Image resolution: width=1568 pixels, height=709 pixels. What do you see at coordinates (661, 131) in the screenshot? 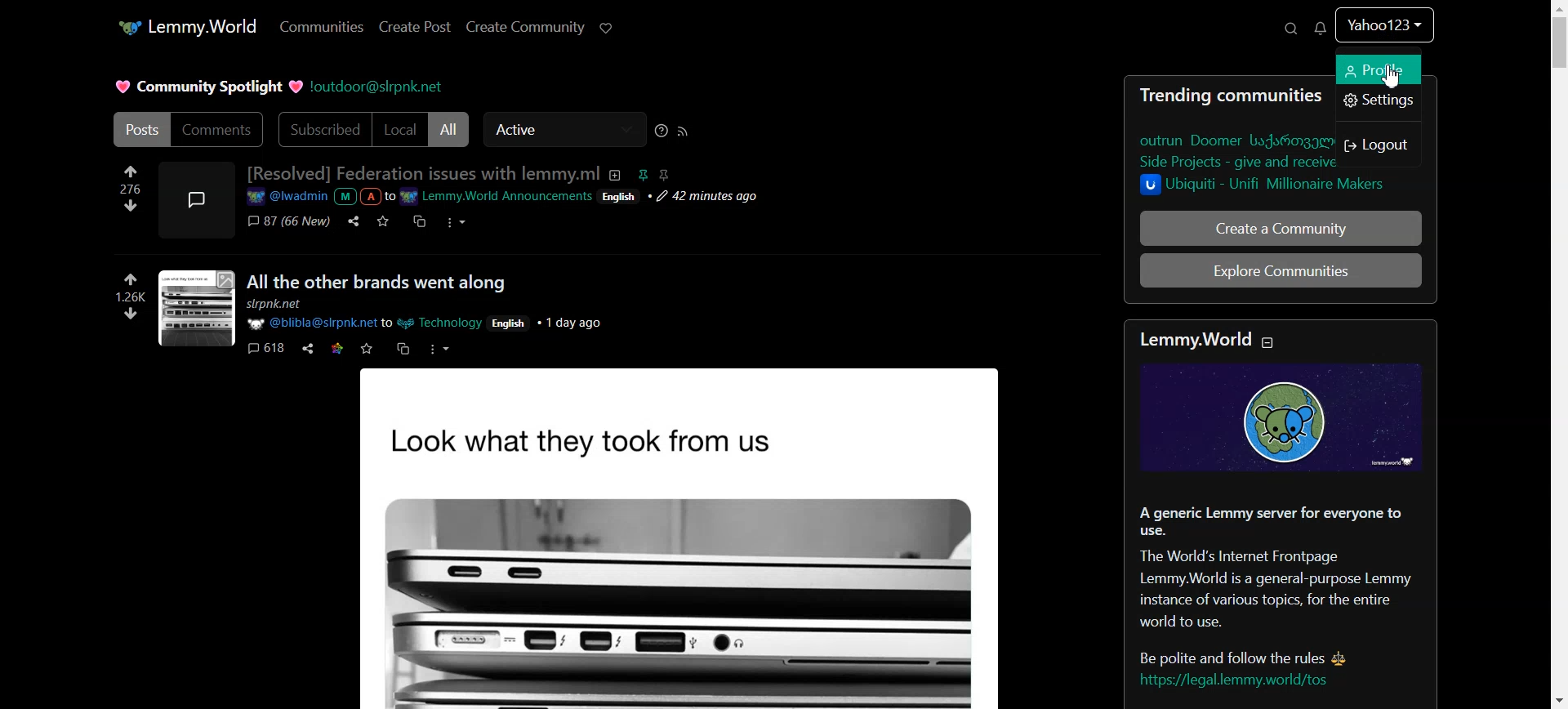
I see `Sorting Help` at bounding box center [661, 131].